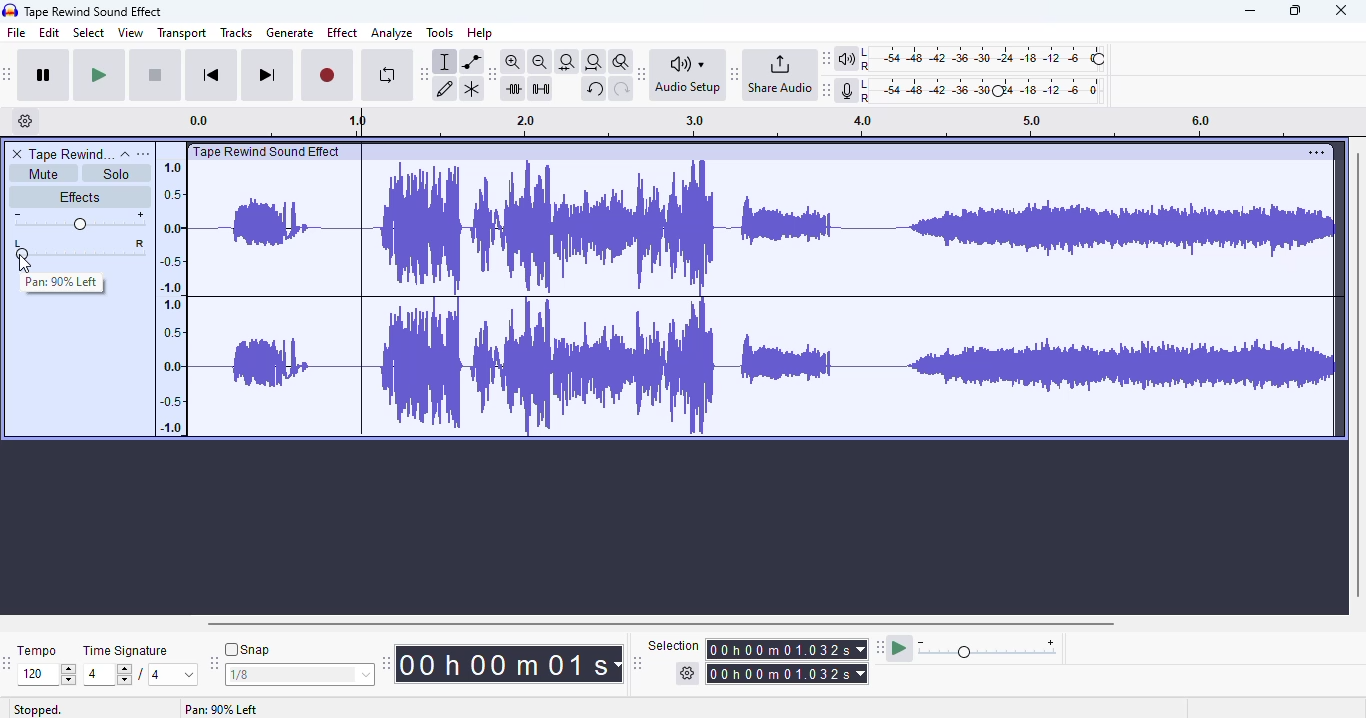 The image size is (1366, 718). I want to click on cursor, so click(26, 264).